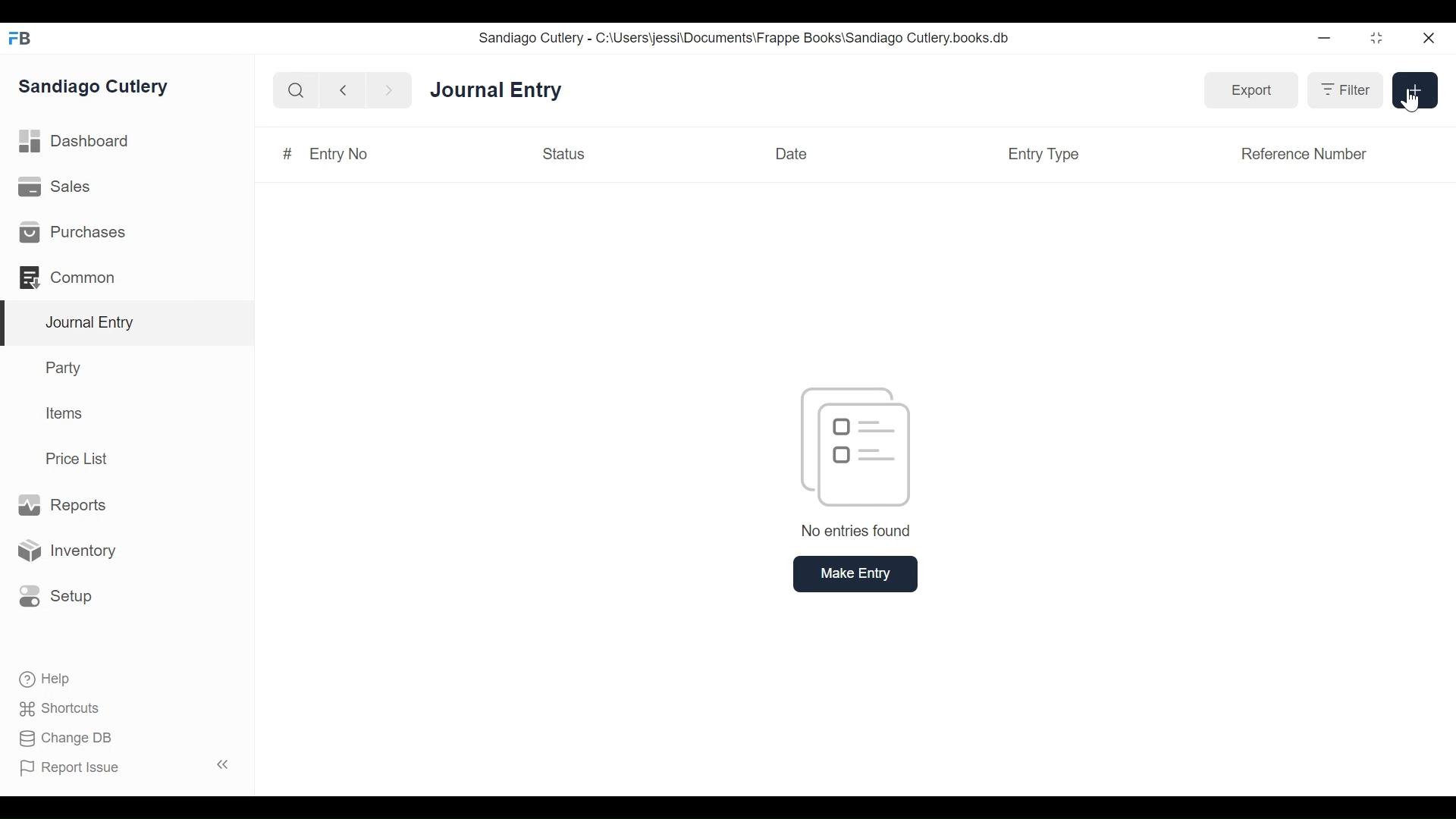  I want to click on Journal Entry, so click(497, 91).